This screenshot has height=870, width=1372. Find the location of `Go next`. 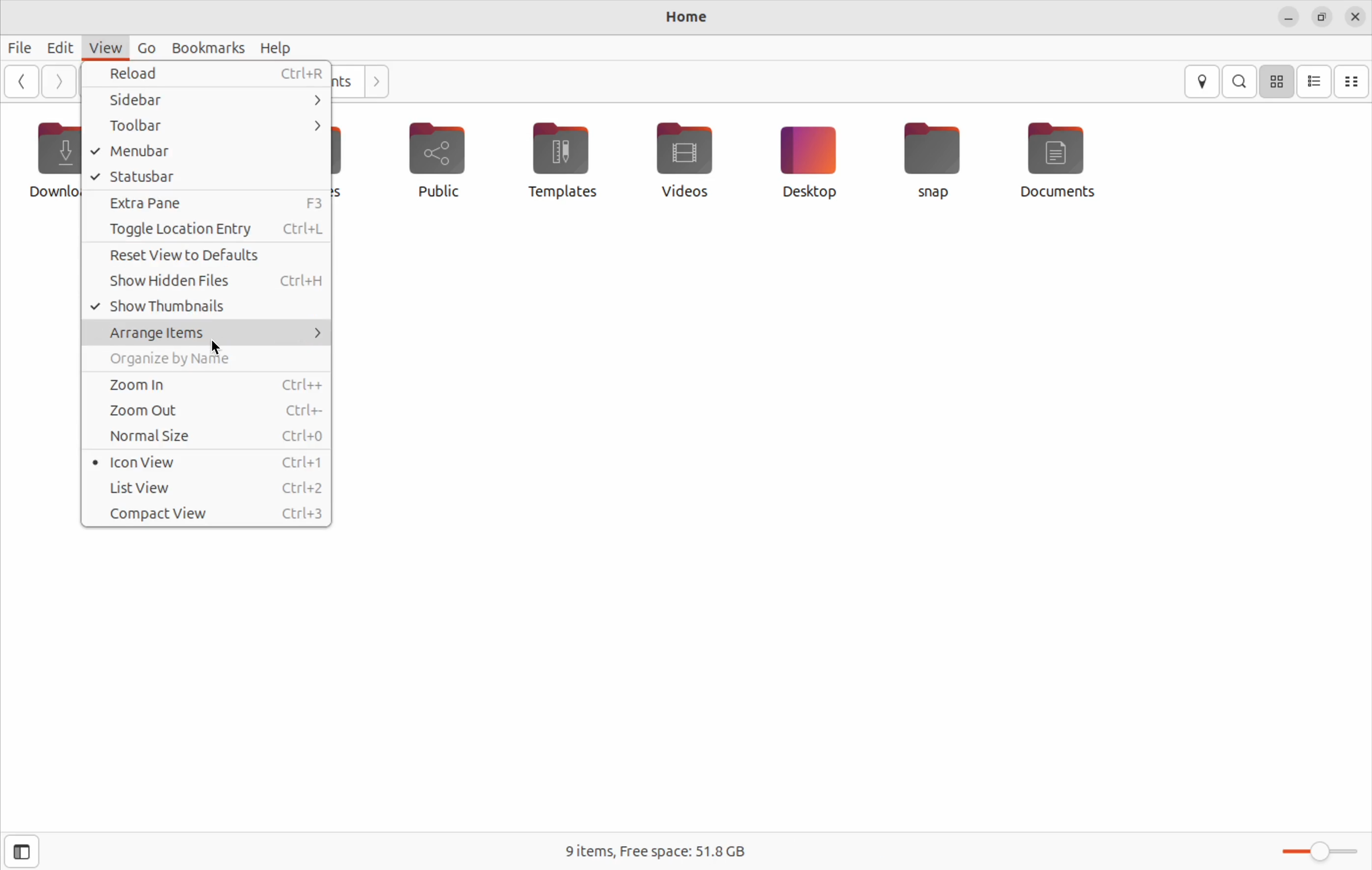

Go next is located at coordinates (59, 81).